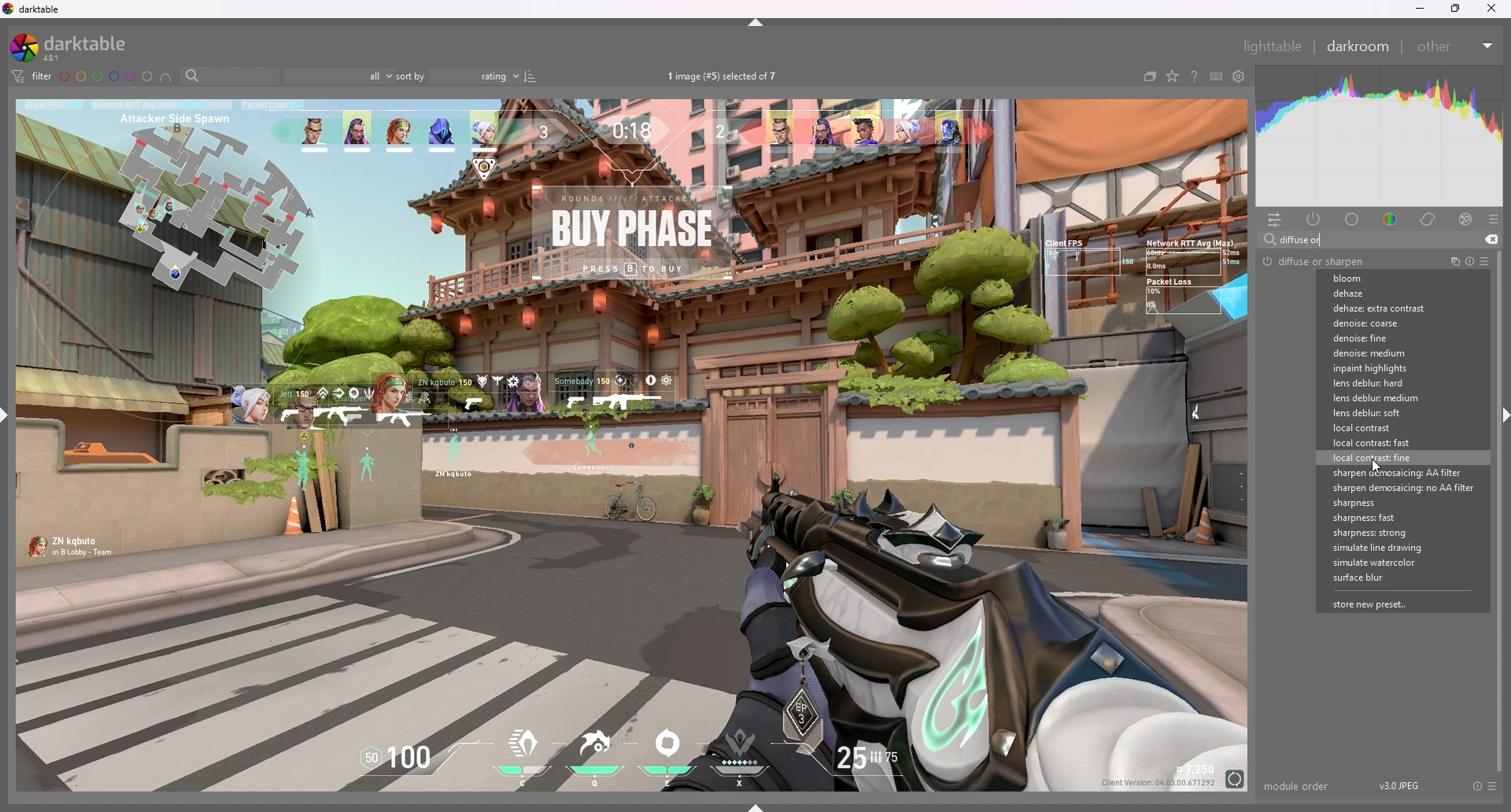 The image size is (1511, 812). What do you see at coordinates (1388, 338) in the screenshot?
I see `denoise fine` at bounding box center [1388, 338].